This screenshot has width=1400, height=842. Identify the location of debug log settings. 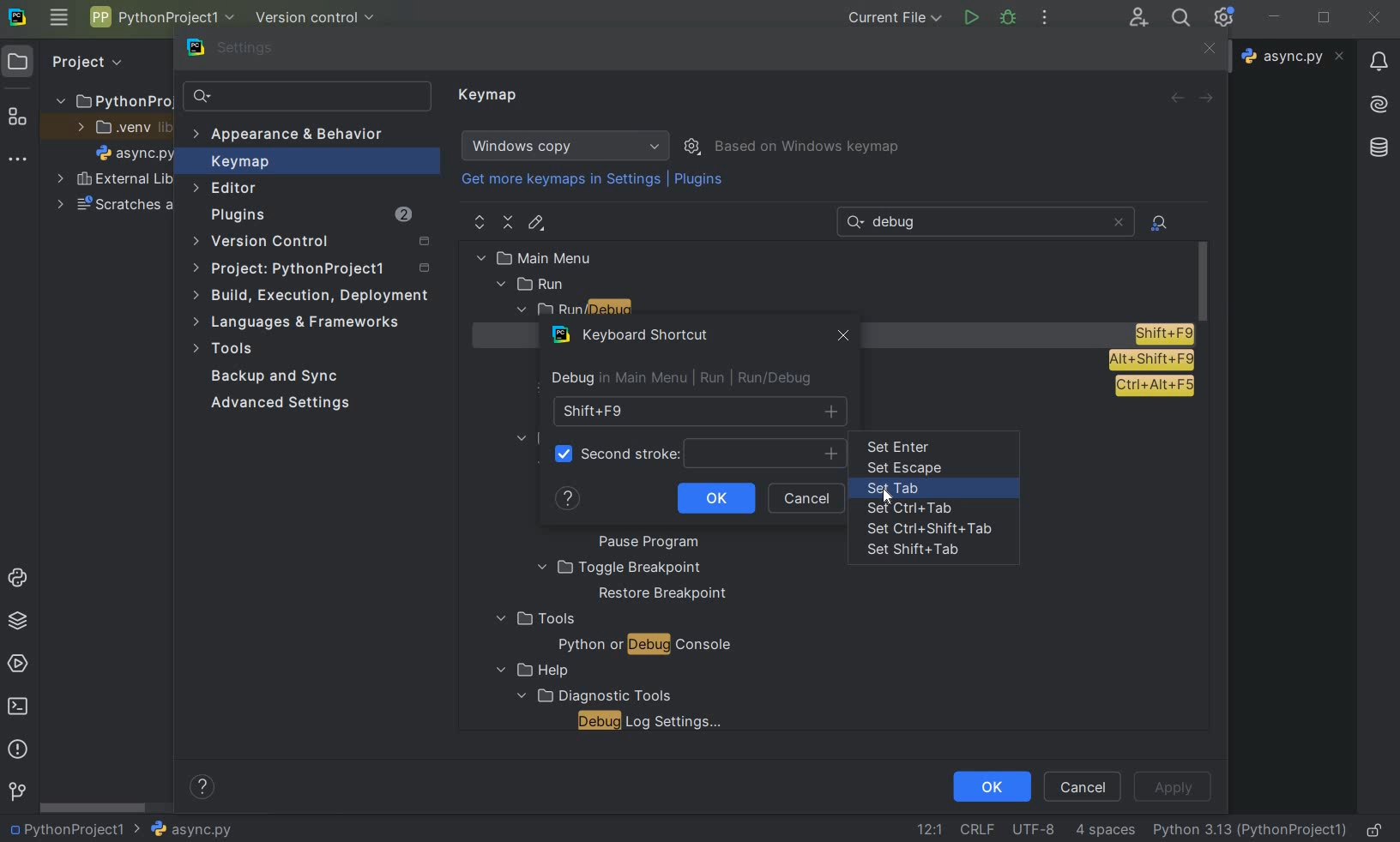
(655, 721).